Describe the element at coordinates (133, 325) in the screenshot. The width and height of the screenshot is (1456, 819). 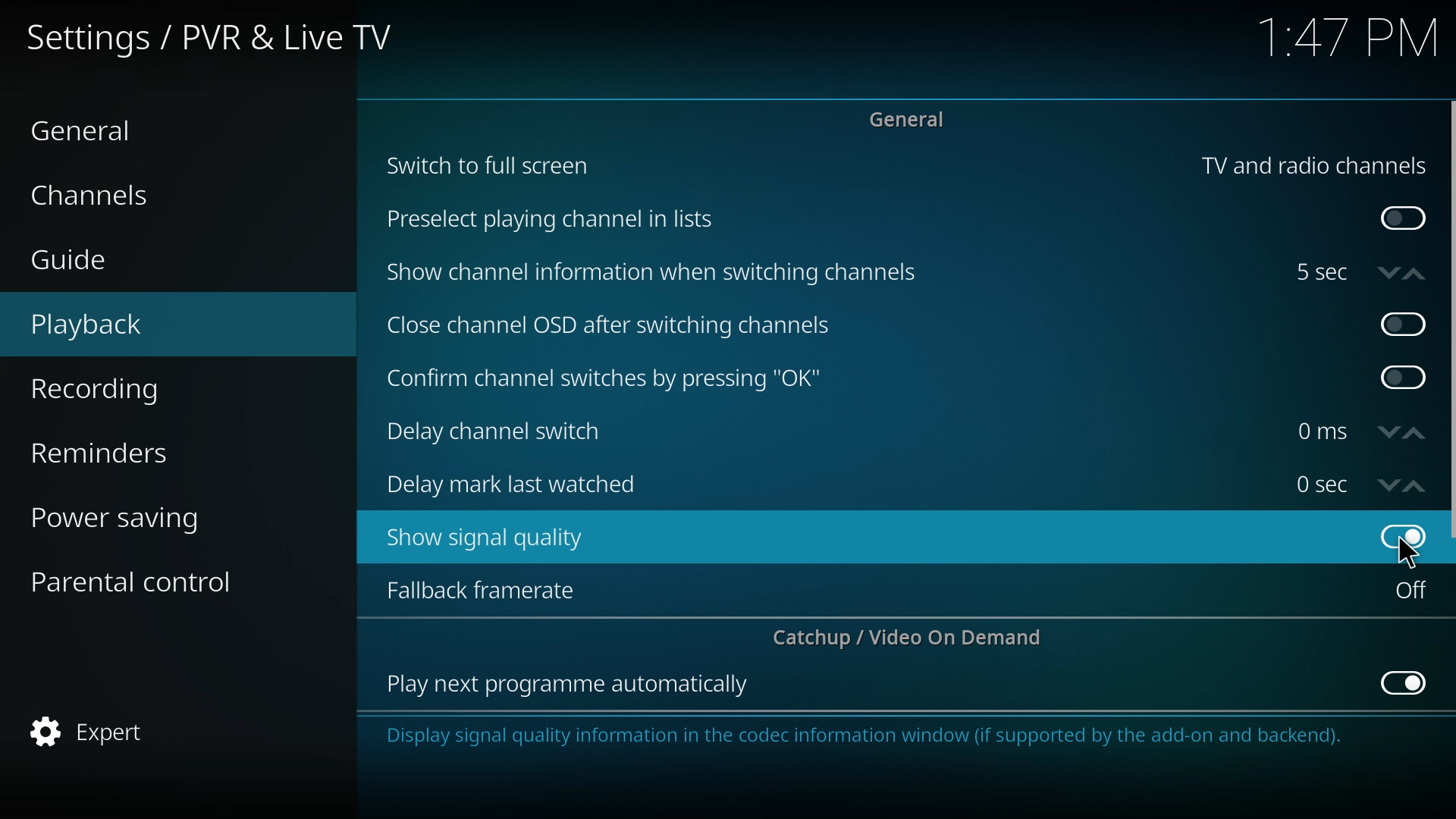
I see `playback` at that location.